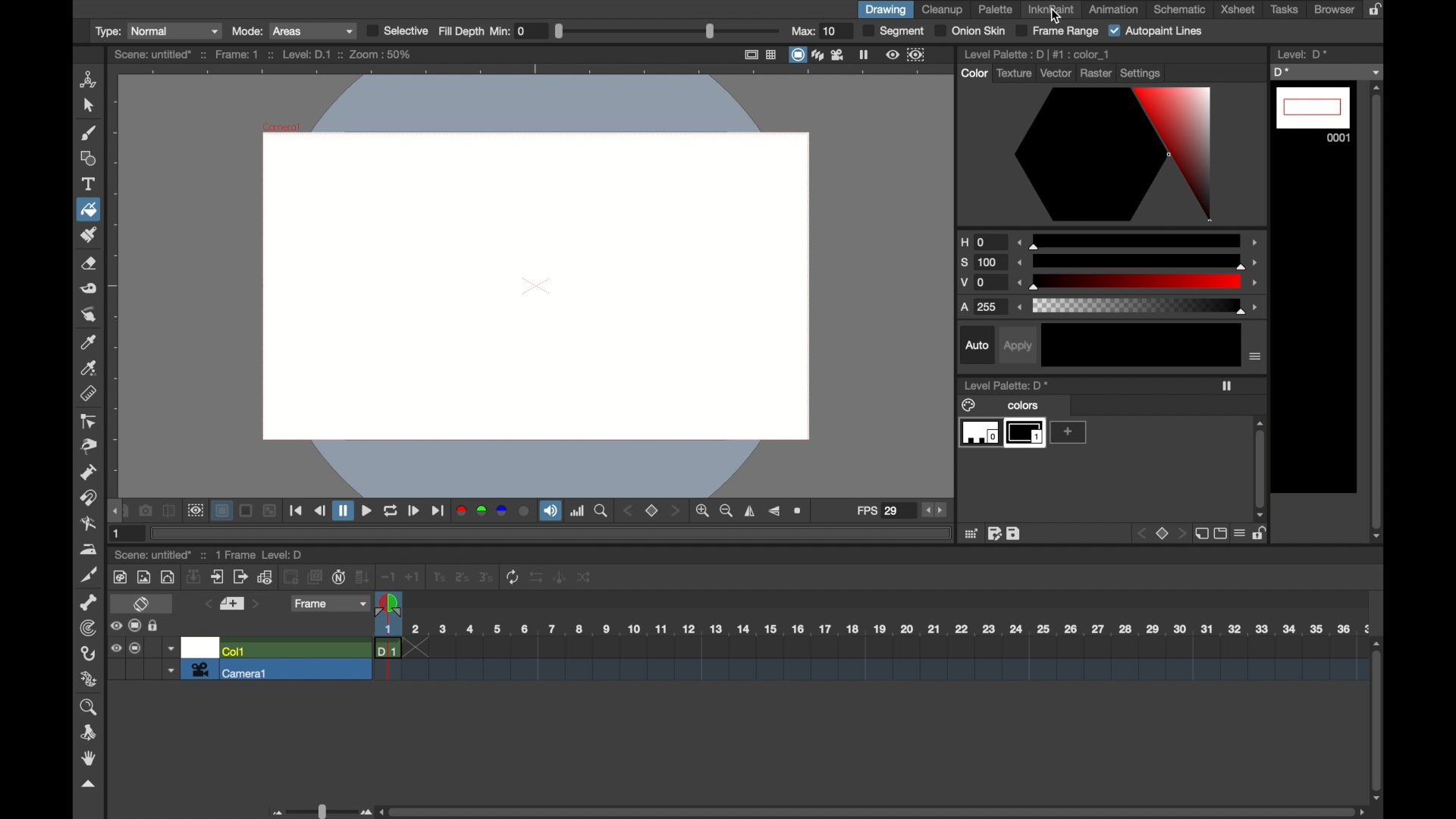 The image size is (1456, 819). What do you see at coordinates (995, 533) in the screenshot?
I see `edit` at bounding box center [995, 533].